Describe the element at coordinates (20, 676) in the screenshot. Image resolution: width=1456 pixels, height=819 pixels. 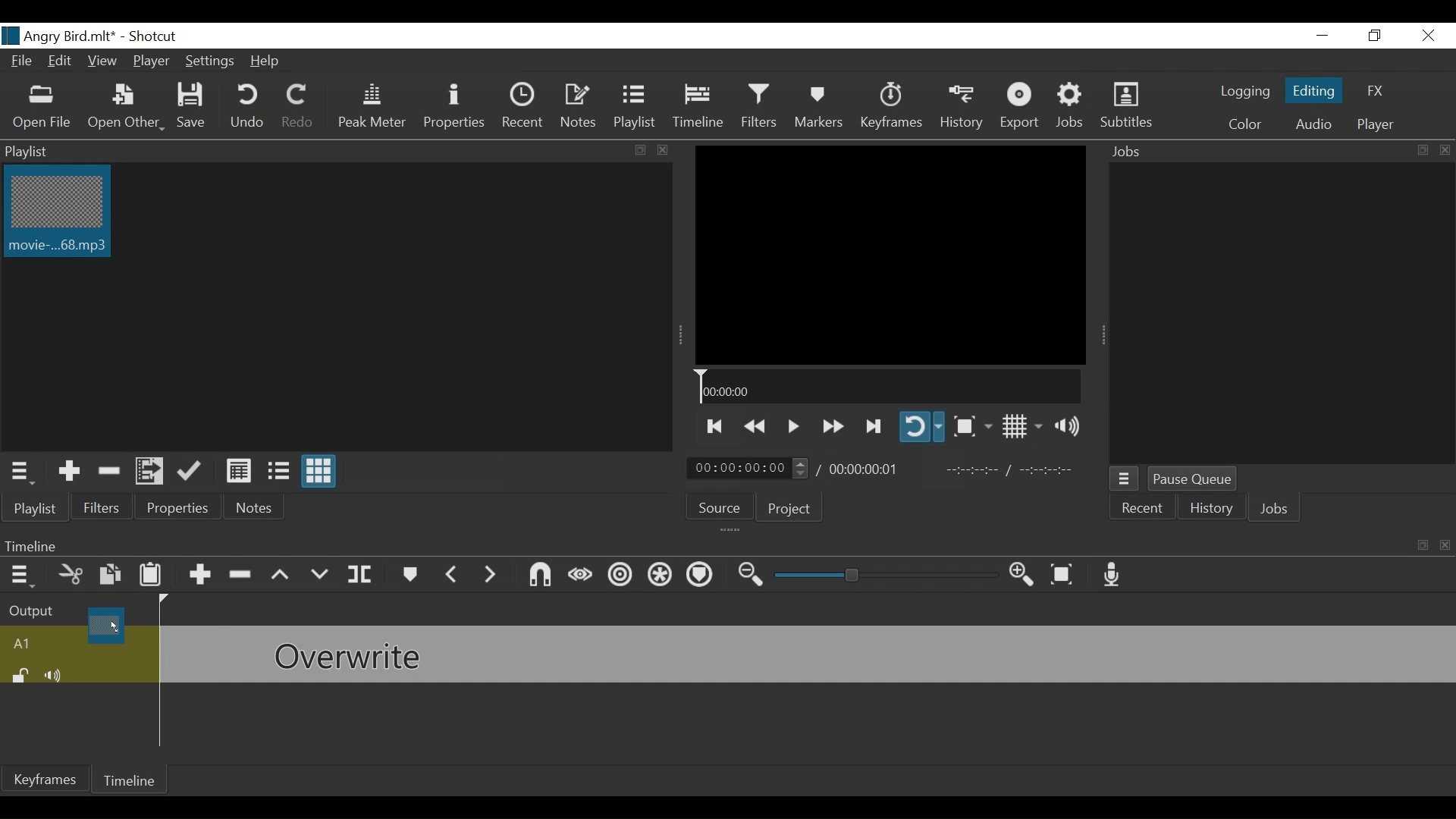
I see `(un)lock track` at that location.